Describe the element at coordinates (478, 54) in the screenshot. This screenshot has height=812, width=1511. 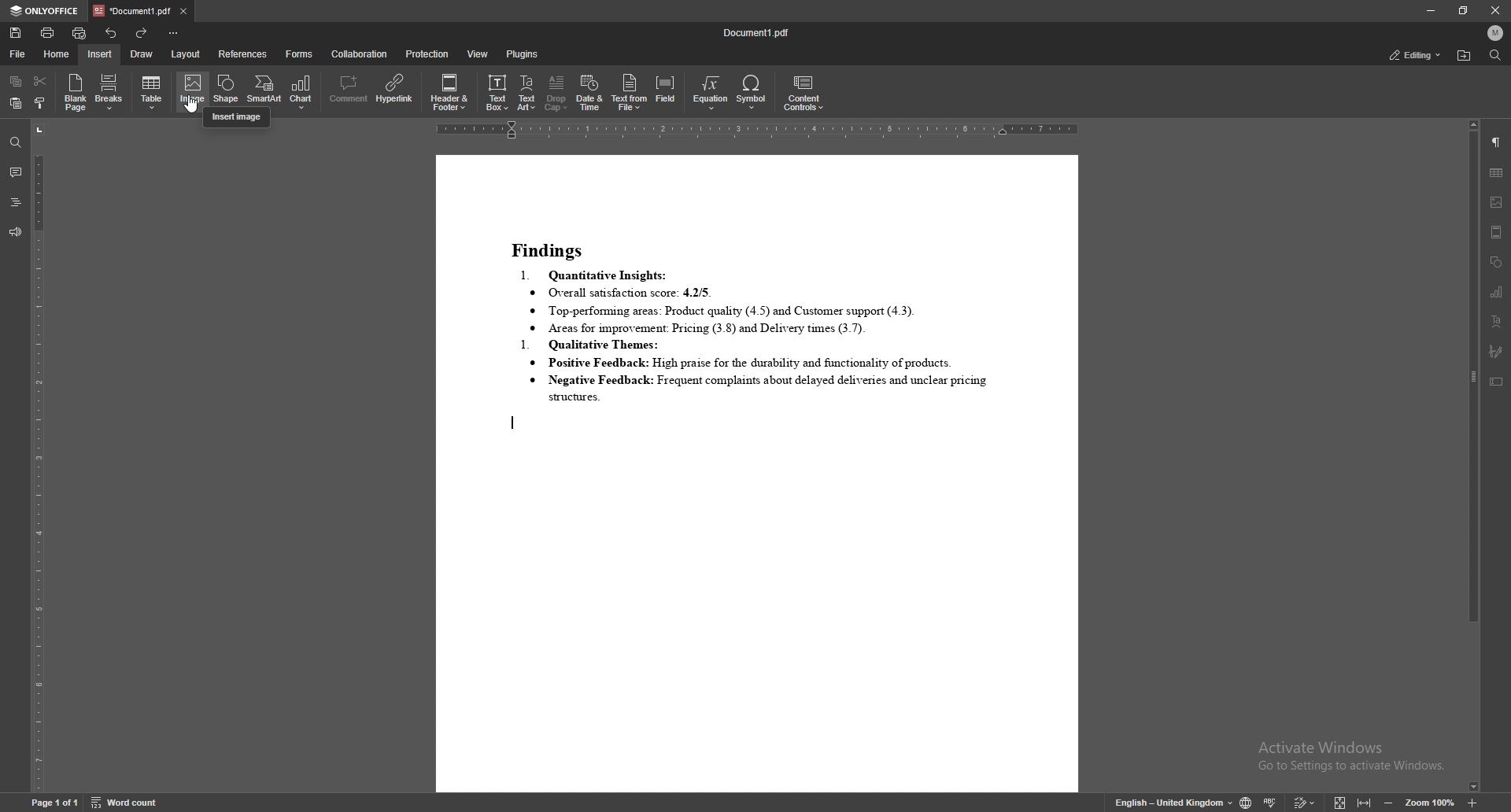
I see `view` at that location.